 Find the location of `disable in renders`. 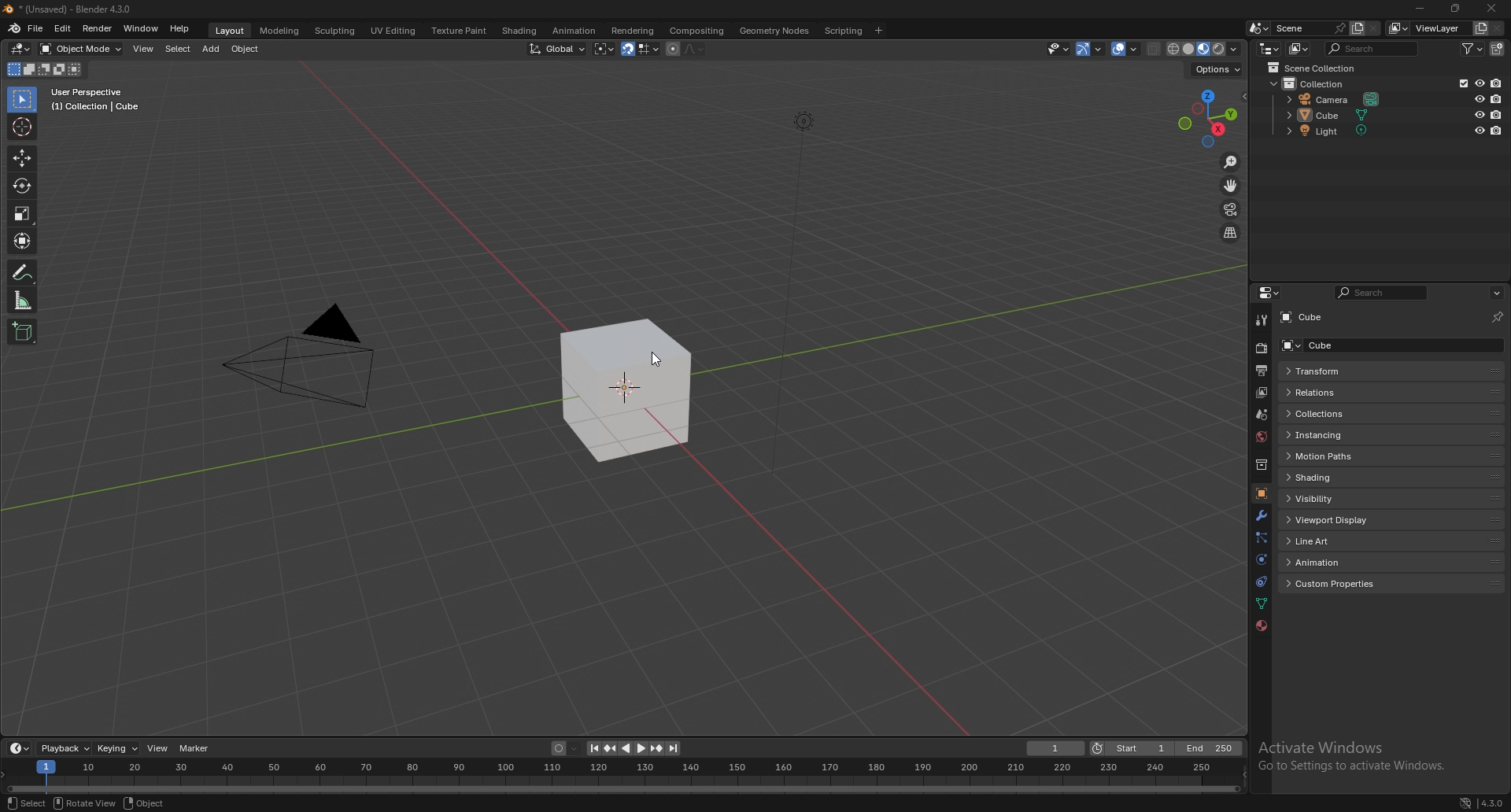

disable in renders is located at coordinates (1497, 98).